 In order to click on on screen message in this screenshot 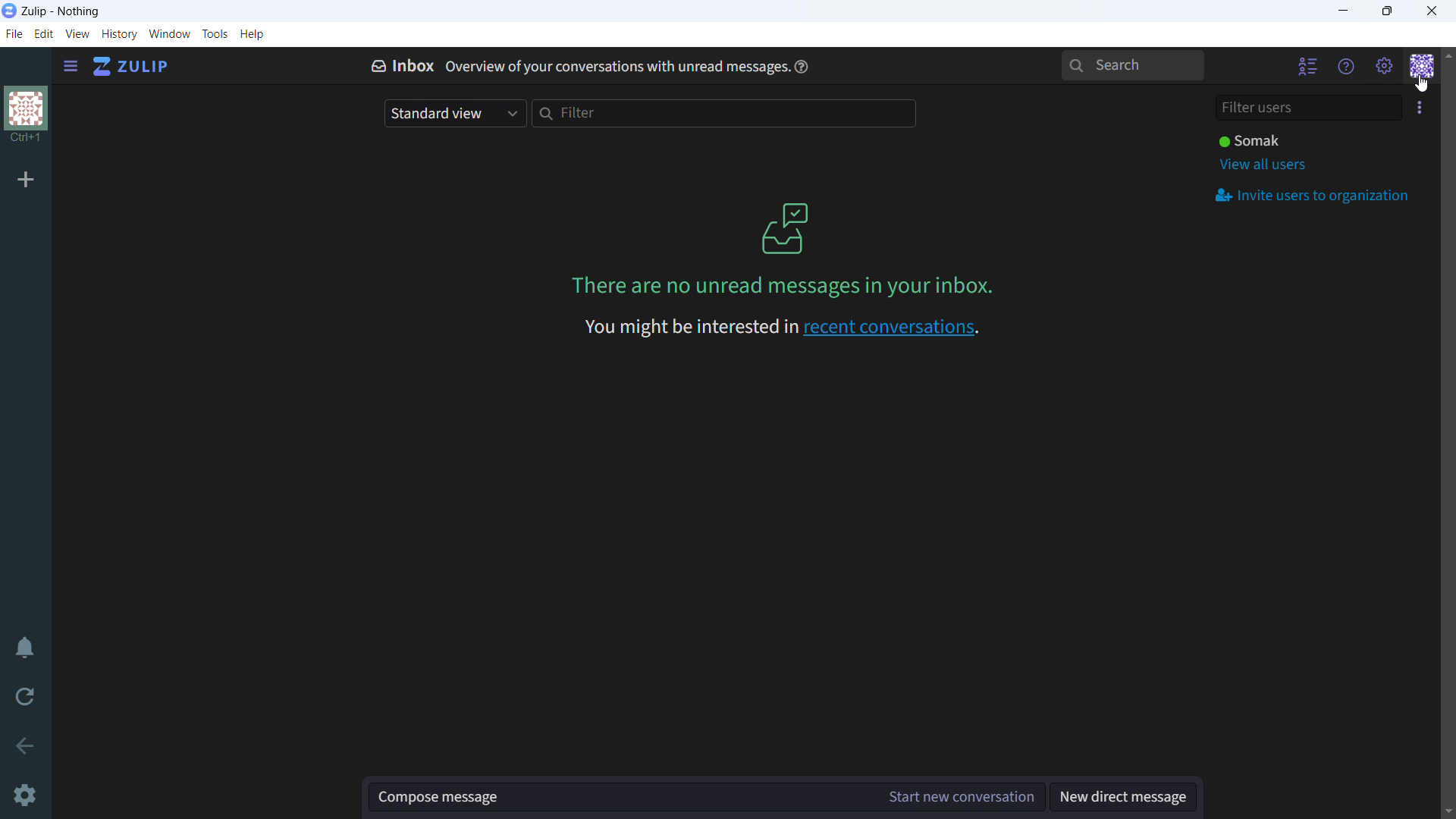, I will do `click(778, 249)`.